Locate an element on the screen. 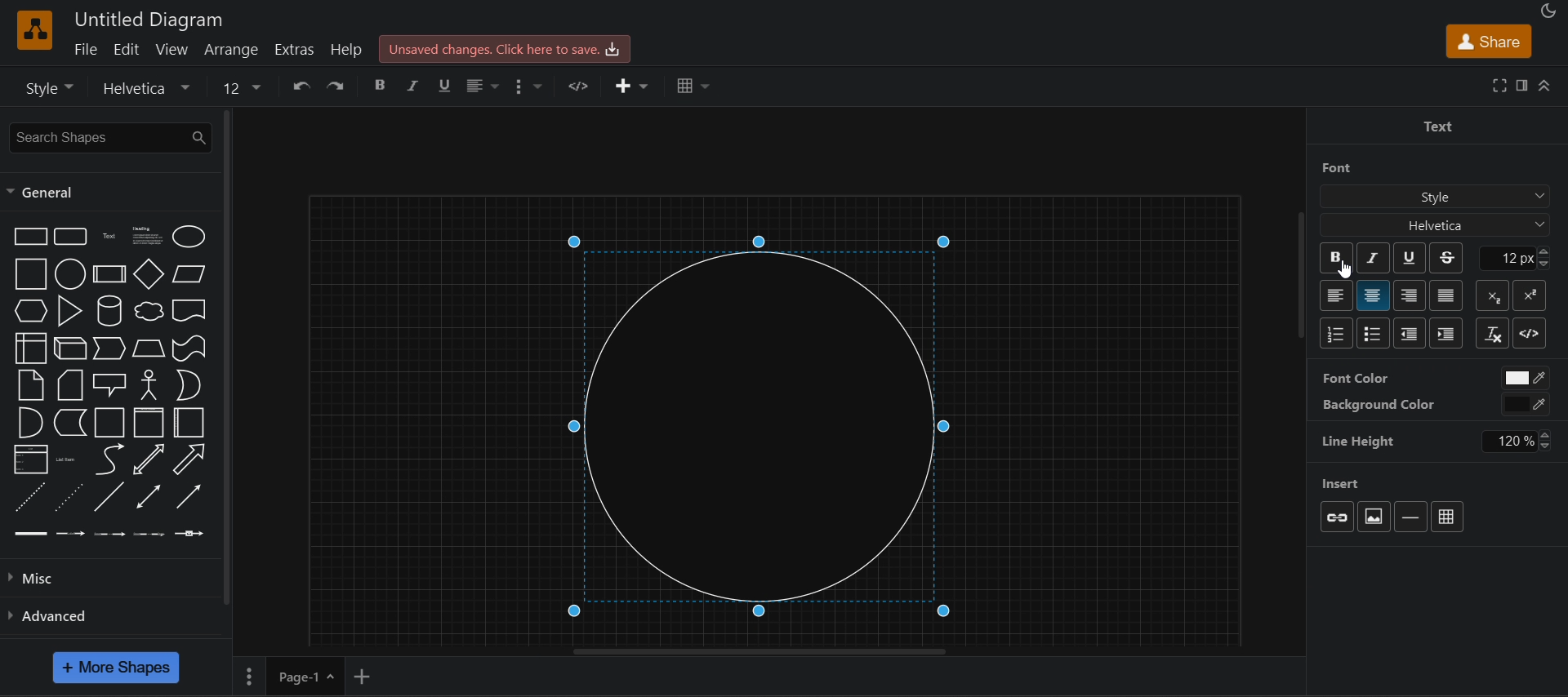 This screenshot has height=697, width=1568. collapase/expand is located at coordinates (1548, 87).